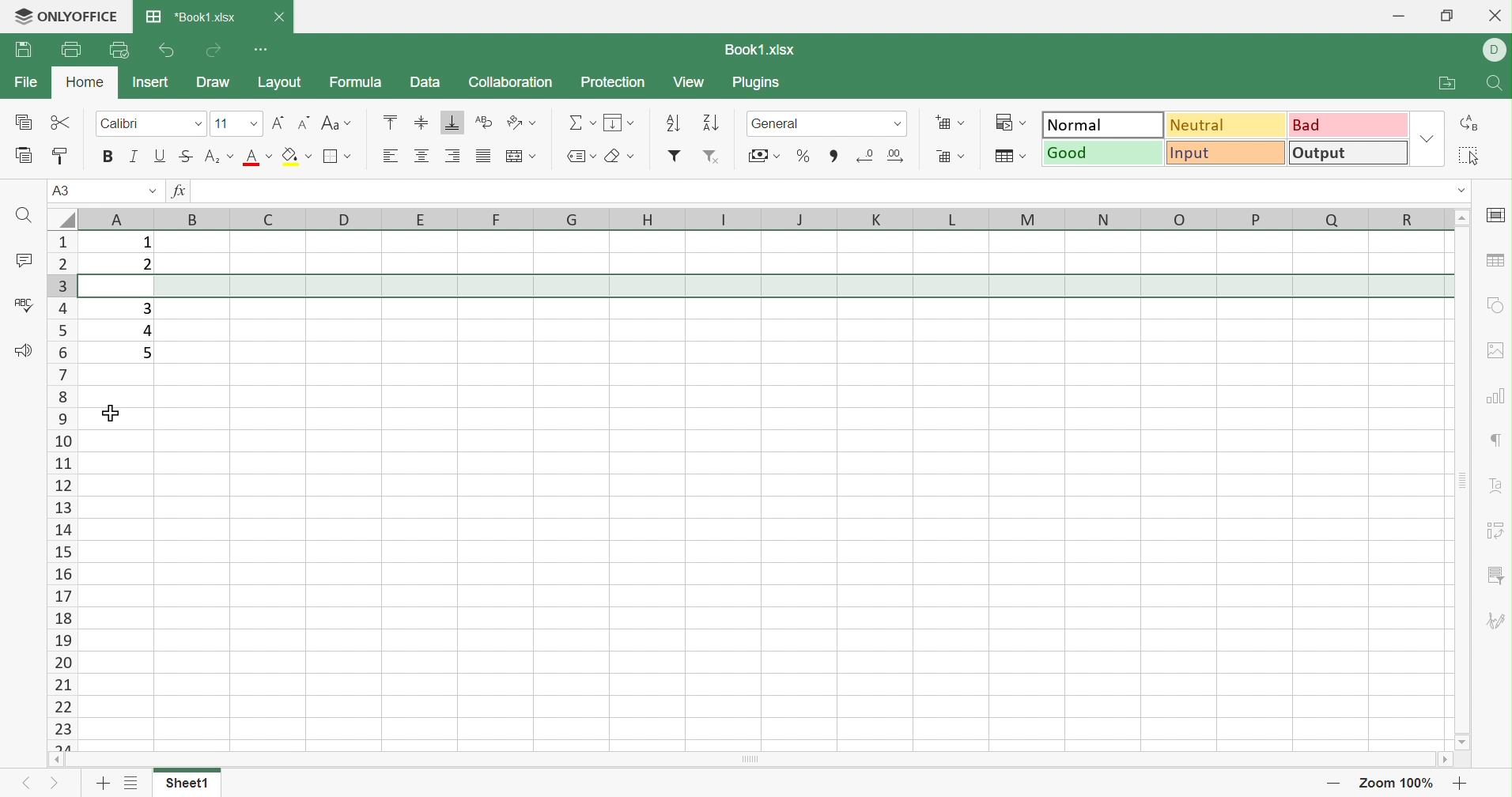 The image size is (1512, 797). What do you see at coordinates (595, 156) in the screenshot?
I see `Drop Down` at bounding box center [595, 156].